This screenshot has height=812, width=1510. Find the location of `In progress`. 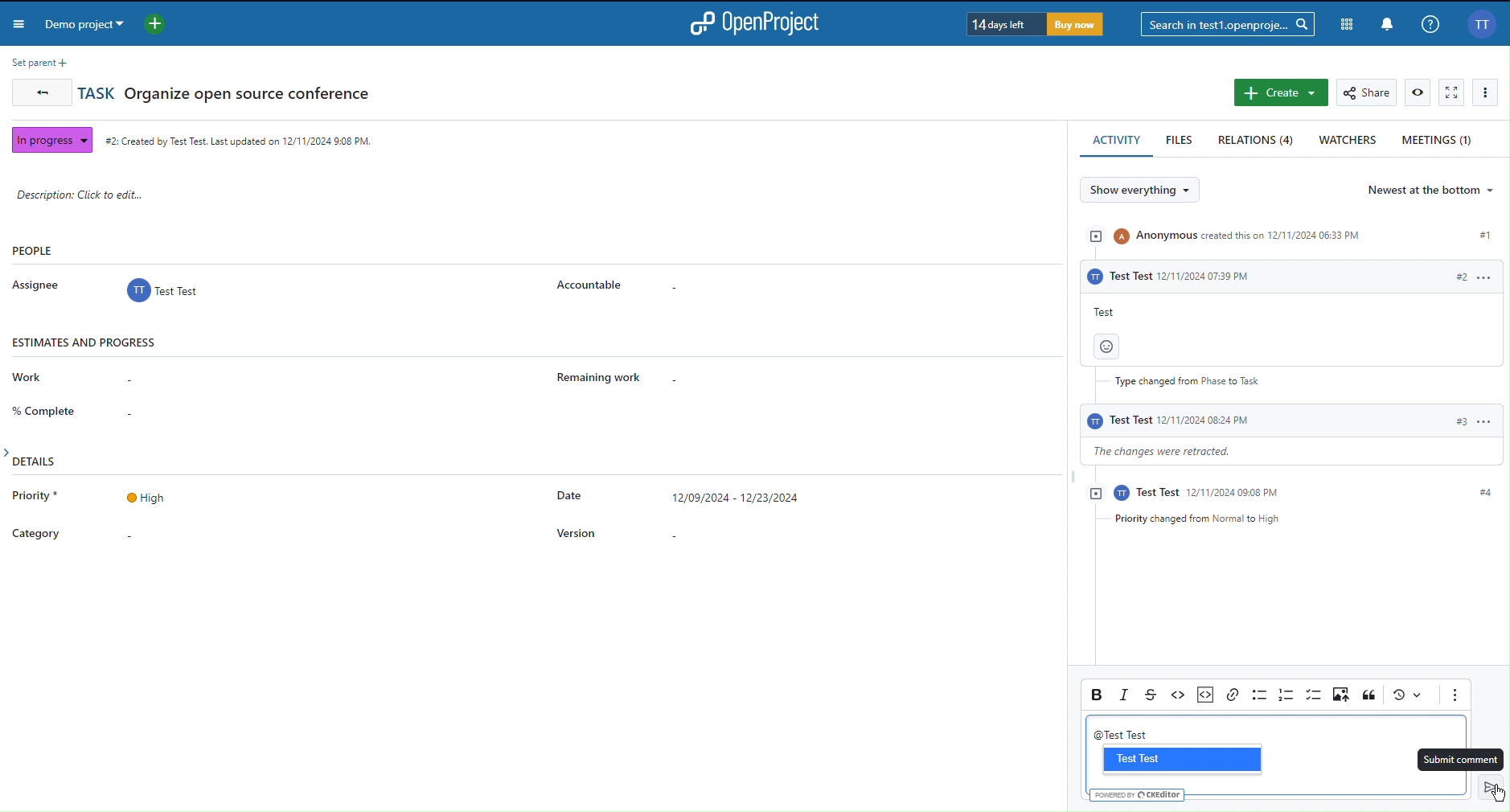

In progress is located at coordinates (49, 138).